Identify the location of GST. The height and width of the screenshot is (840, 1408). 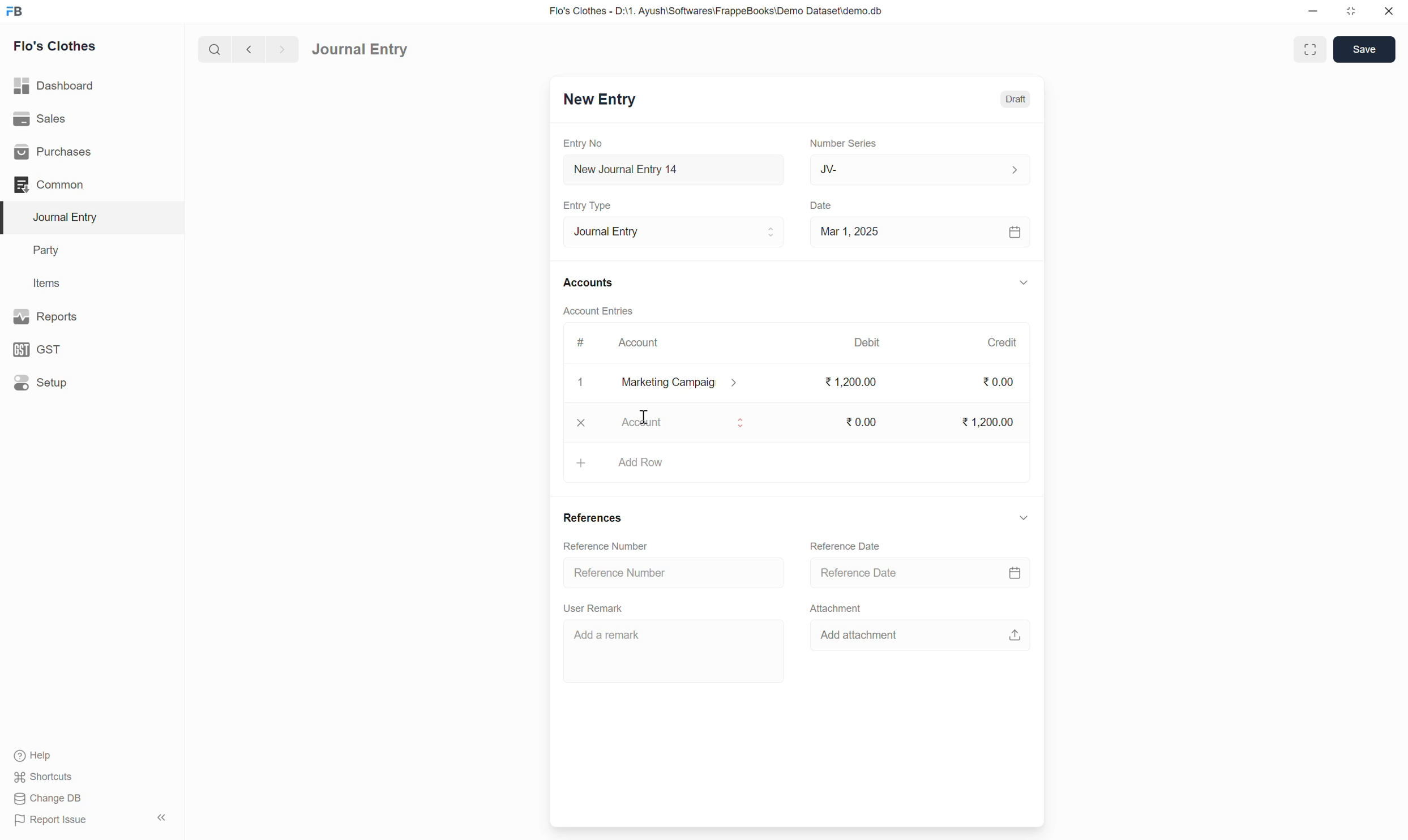
(39, 350).